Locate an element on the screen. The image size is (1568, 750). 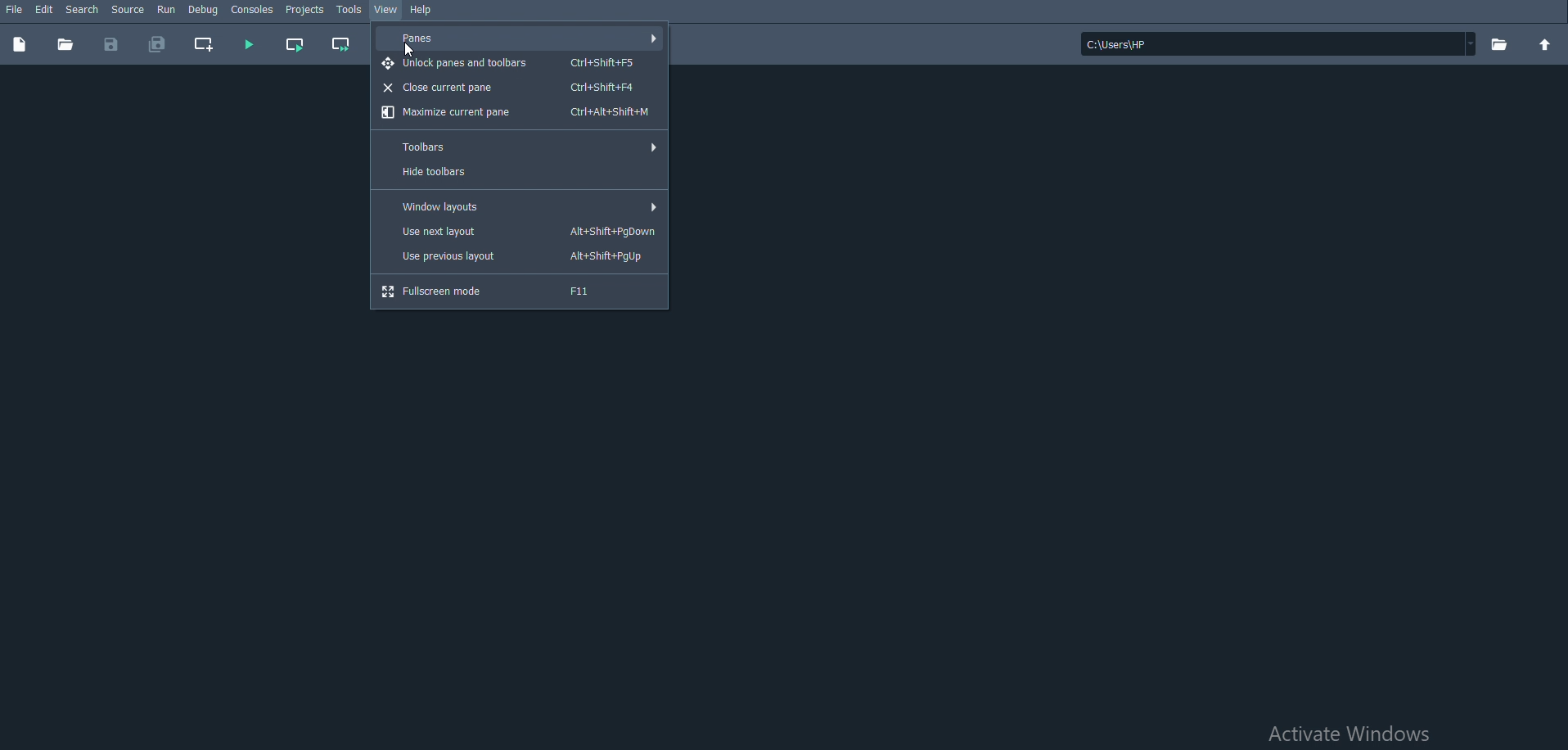
Use previous layout is located at coordinates (517, 255).